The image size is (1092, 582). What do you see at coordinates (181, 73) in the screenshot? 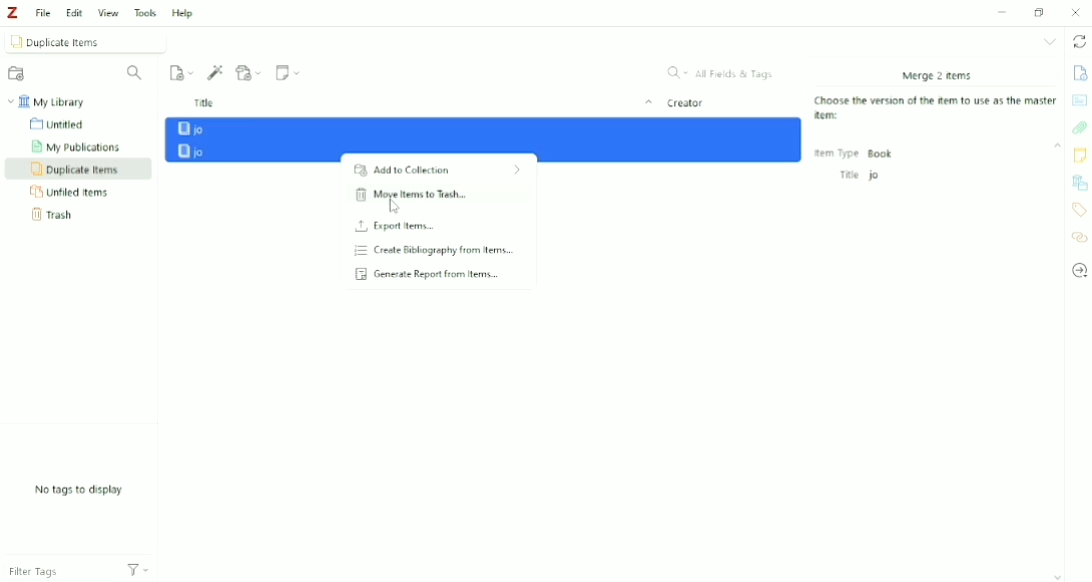
I see `New Item` at bounding box center [181, 73].